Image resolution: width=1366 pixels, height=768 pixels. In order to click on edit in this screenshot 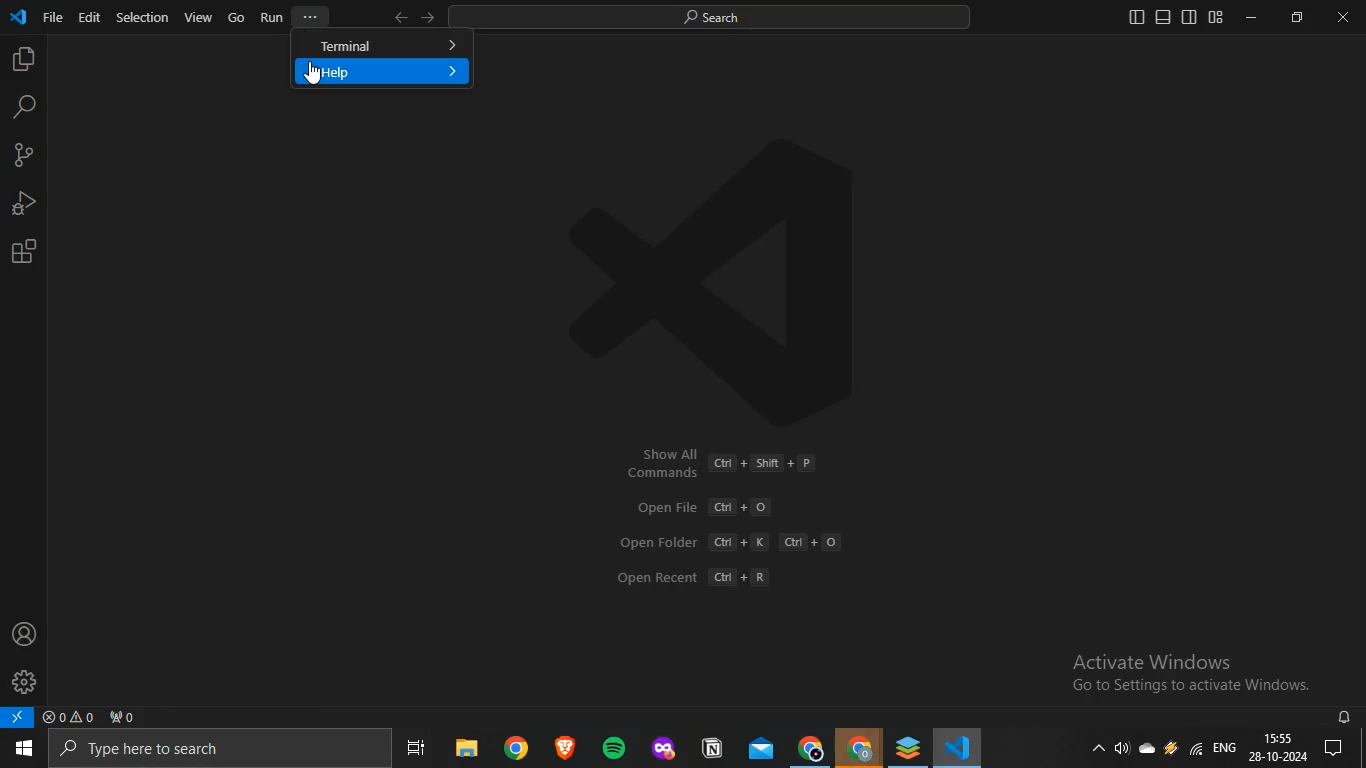, I will do `click(89, 17)`.